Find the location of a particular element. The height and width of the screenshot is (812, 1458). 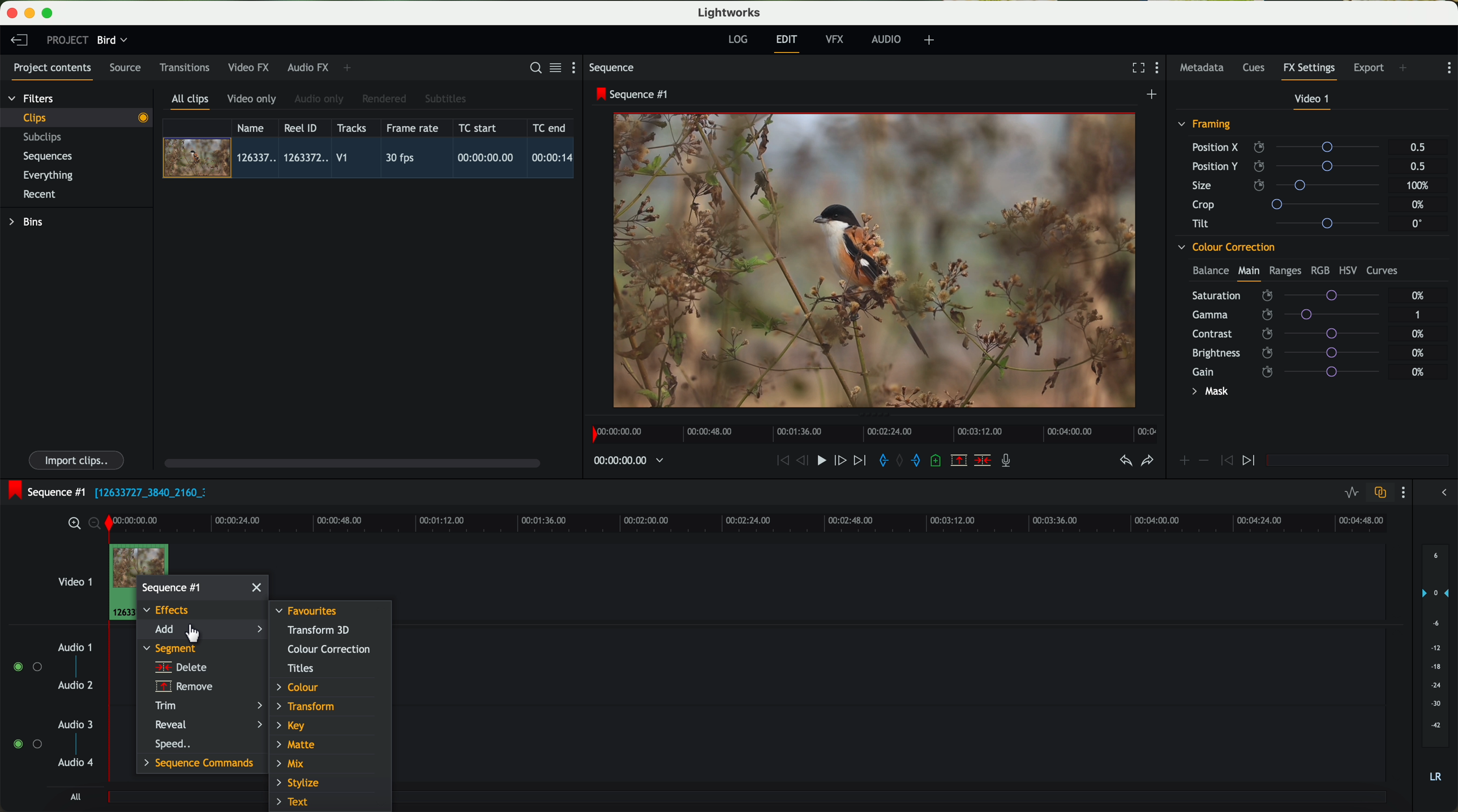

import clips is located at coordinates (78, 459).